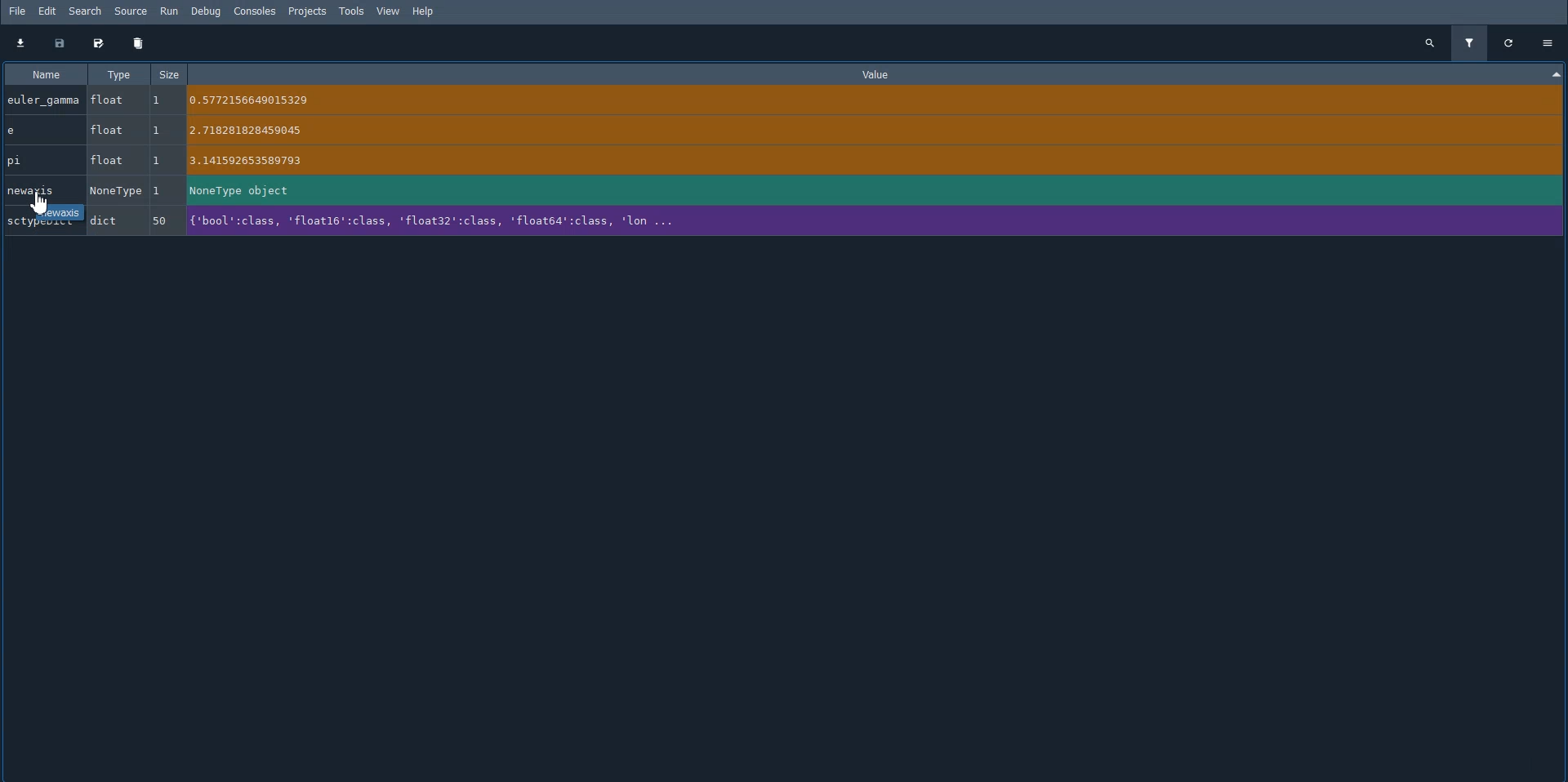 This screenshot has height=782, width=1568. What do you see at coordinates (40, 202) in the screenshot?
I see `Cursor` at bounding box center [40, 202].